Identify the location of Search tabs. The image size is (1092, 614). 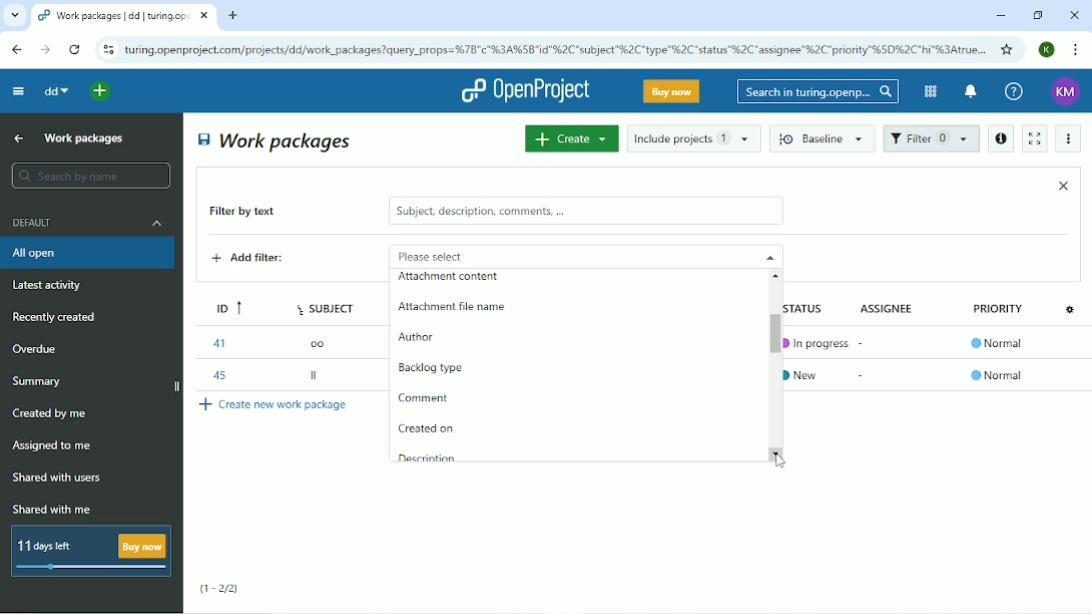
(15, 16).